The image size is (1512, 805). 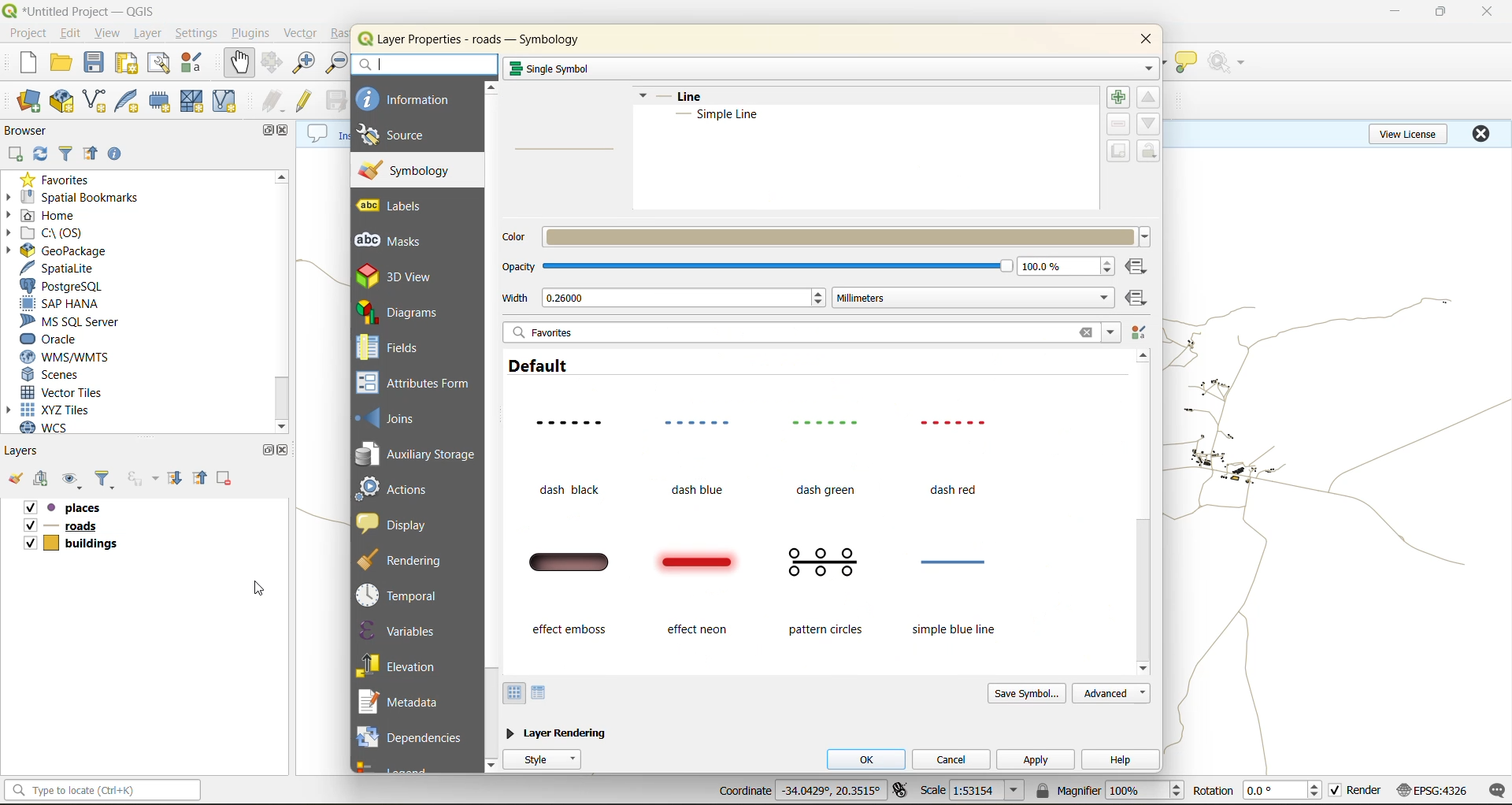 I want to click on view license, so click(x=1404, y=132).